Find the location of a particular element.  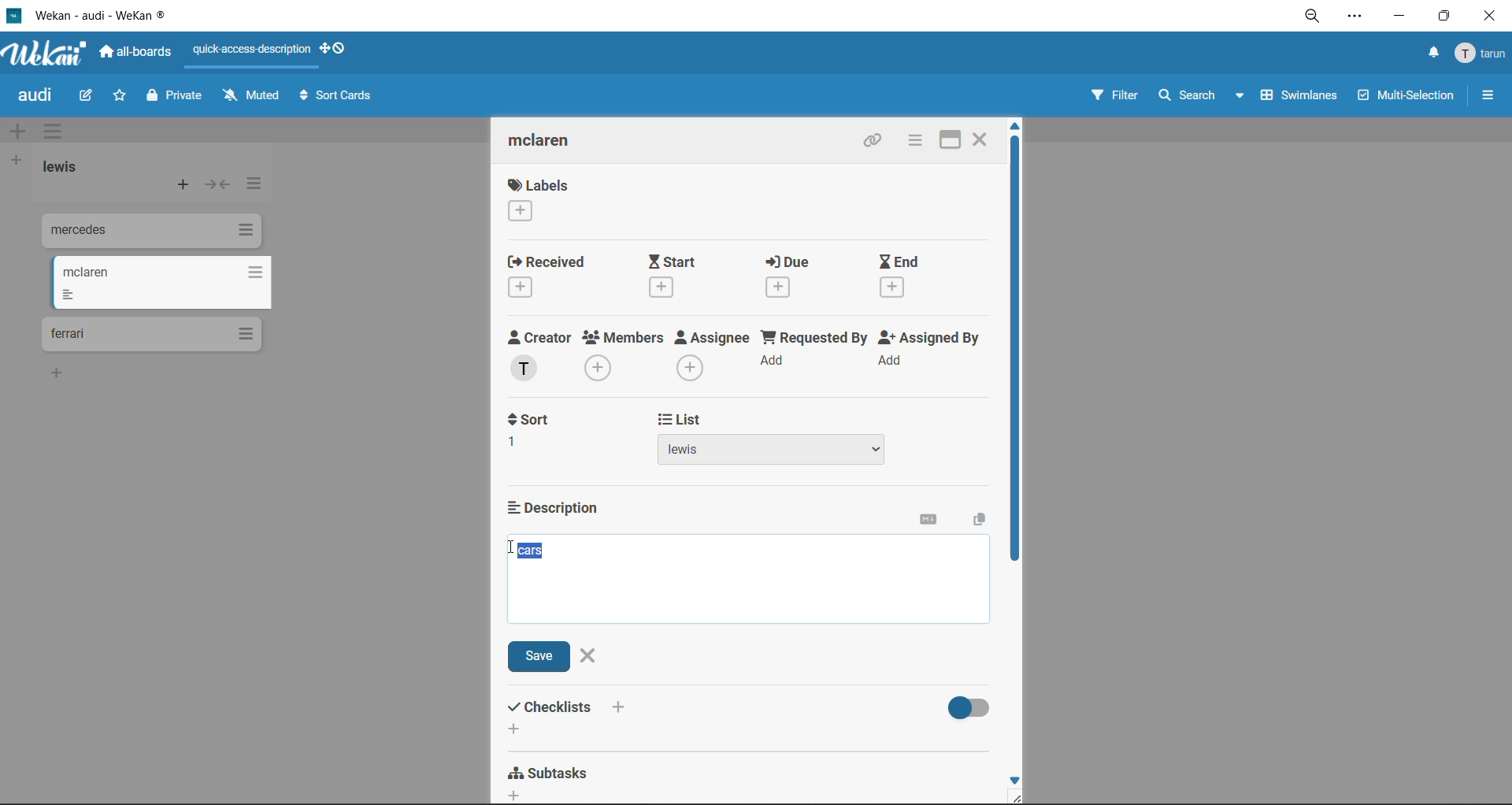

list actions is located at coordinates (251, 187).